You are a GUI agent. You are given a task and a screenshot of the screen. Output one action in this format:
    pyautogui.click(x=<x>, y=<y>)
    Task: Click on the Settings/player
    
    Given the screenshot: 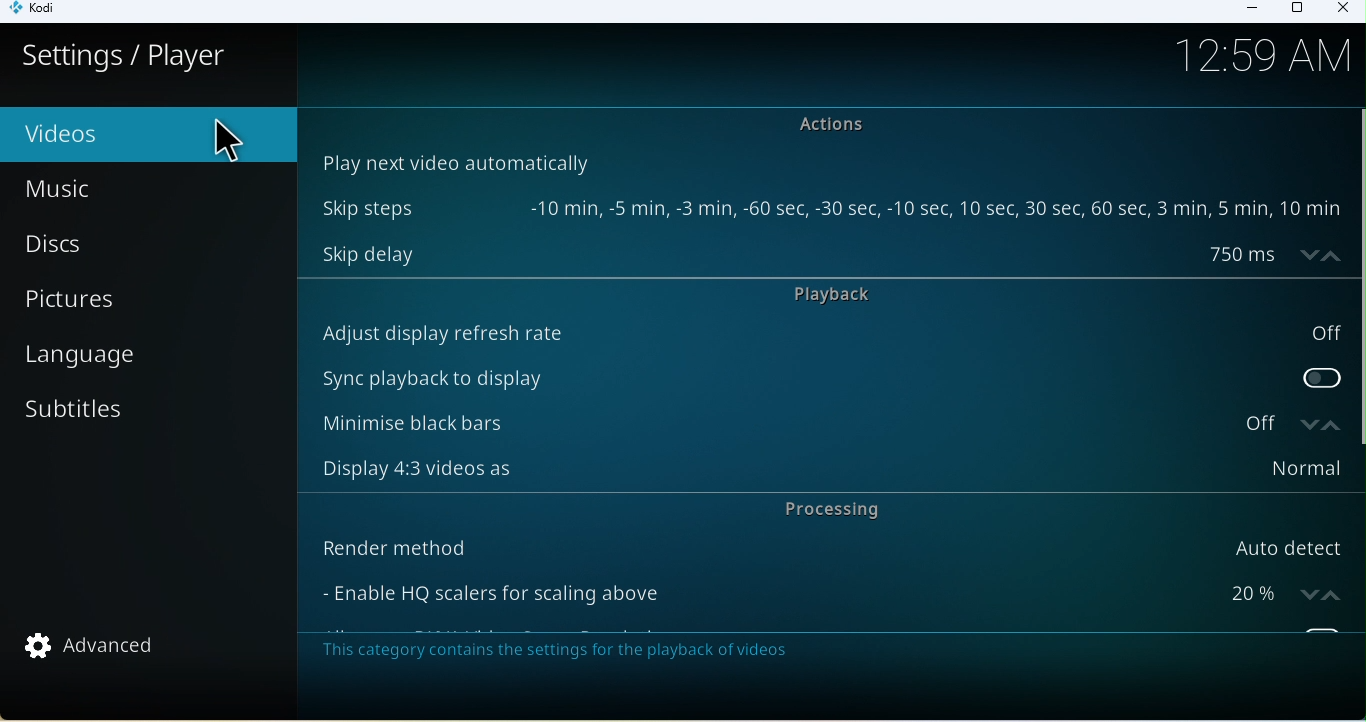 What is the action you would take?
    pyautogui.click(x=125, y=56)
    